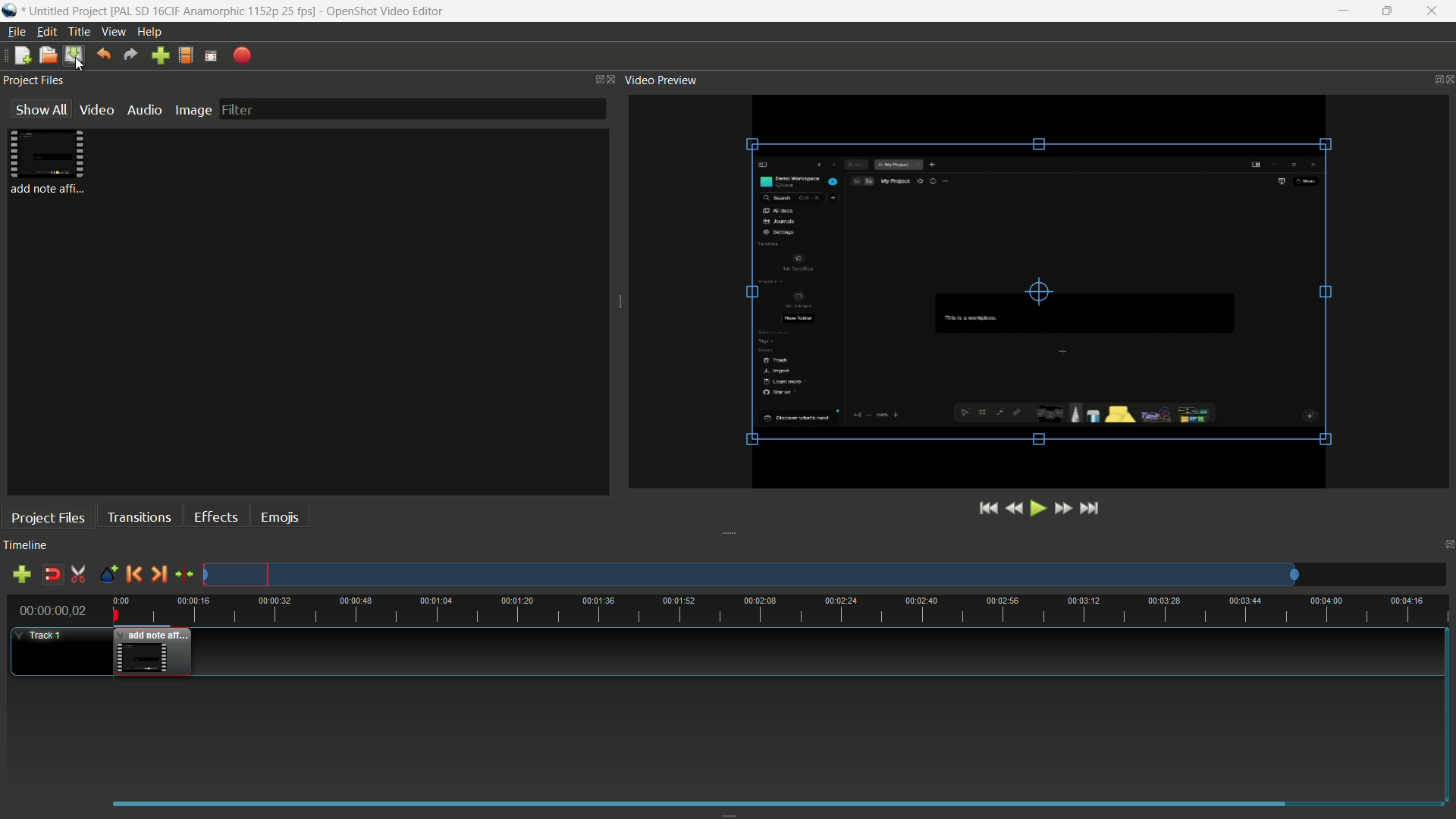 The image size is (1456, 819). What do you see at coordinates (149, 32) in the screenshot?
I see `help menu` at bounding box center [149, 32].